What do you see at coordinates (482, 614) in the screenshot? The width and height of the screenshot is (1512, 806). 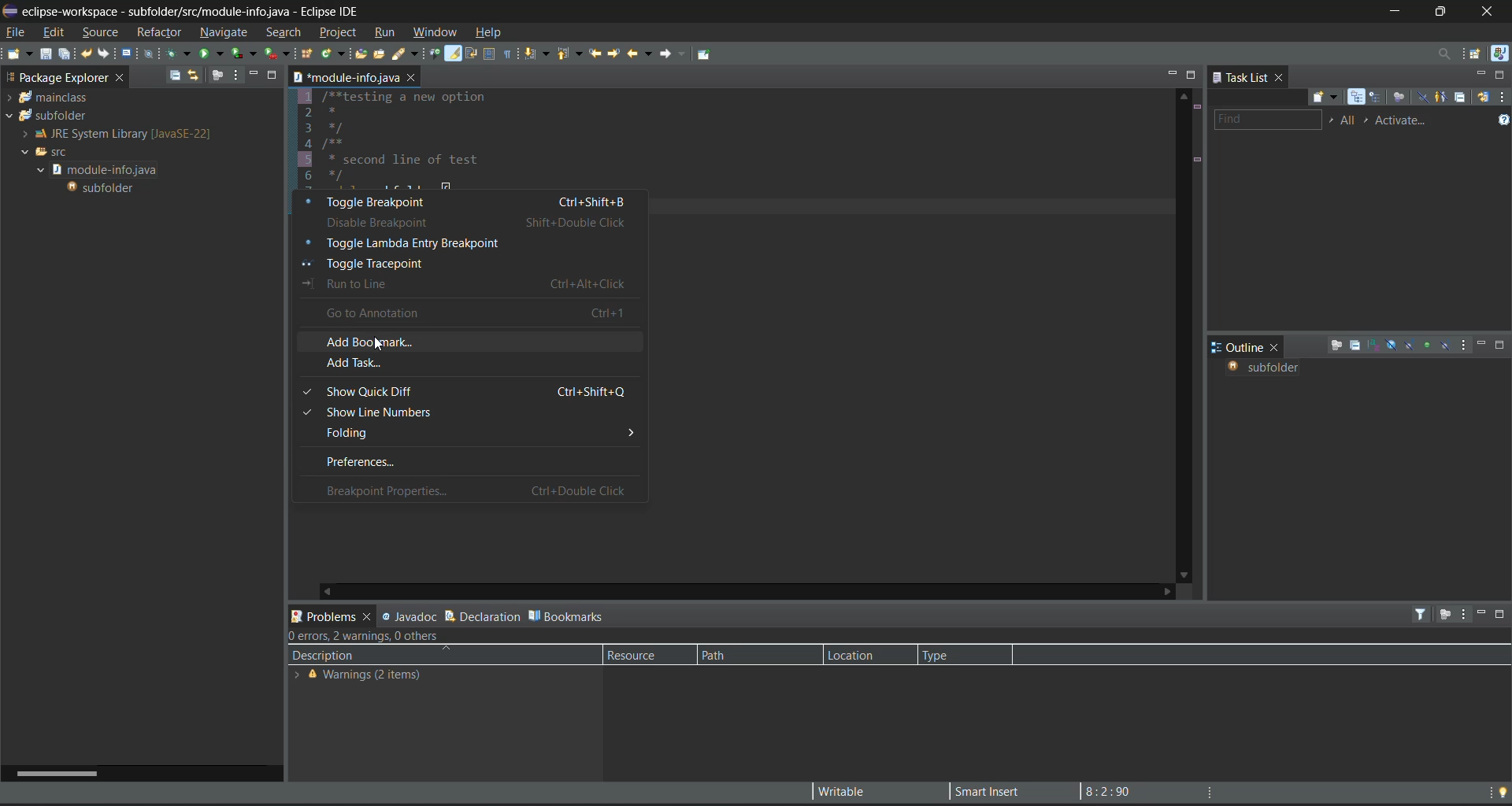 I see `declaration` at bounding box center [482, 614].